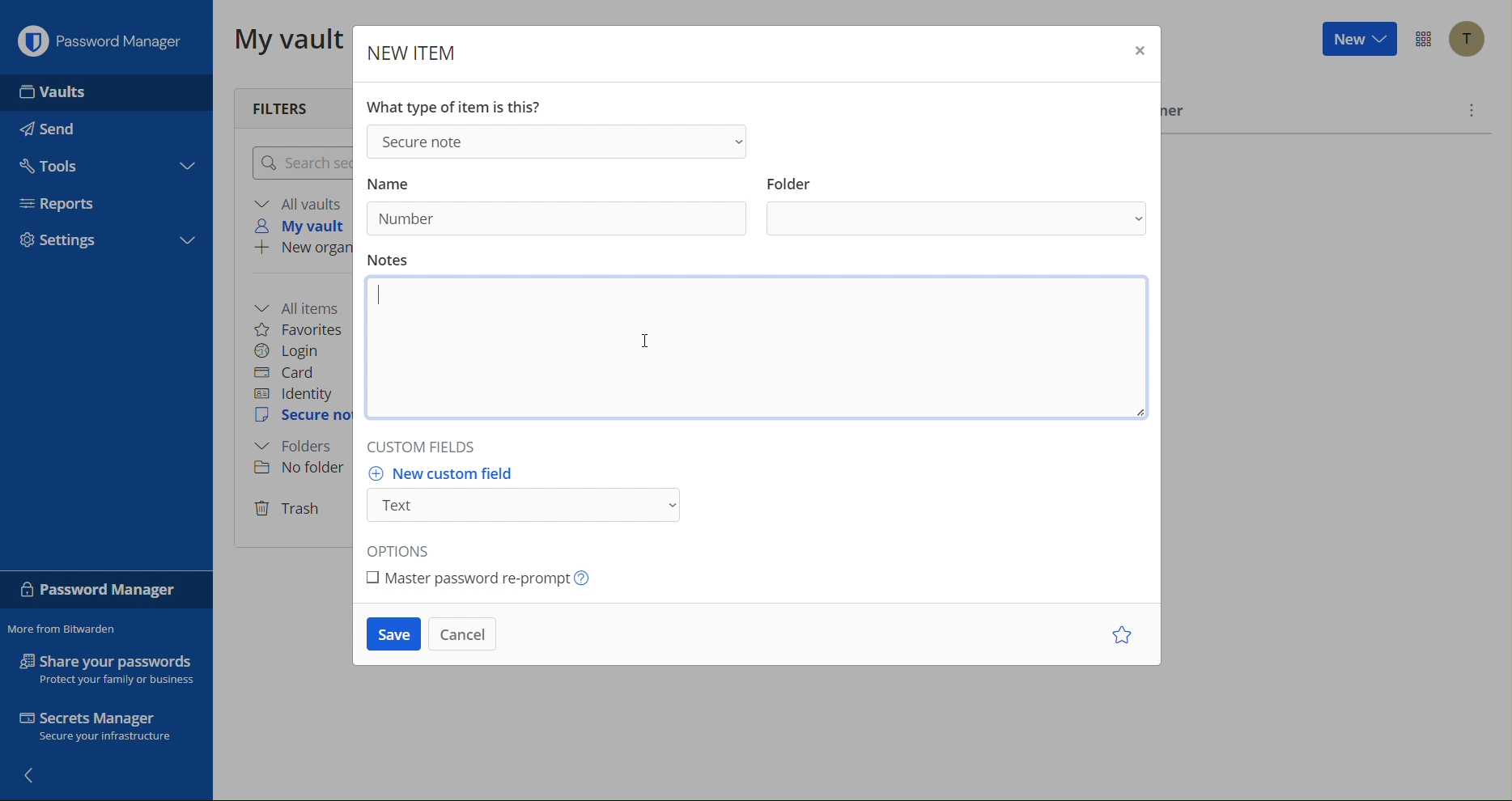 The width and height of the screenshot is (1512, 801). Describe the element at coordinates (297, 393) in the screenshot. I see `Identity` at that location.